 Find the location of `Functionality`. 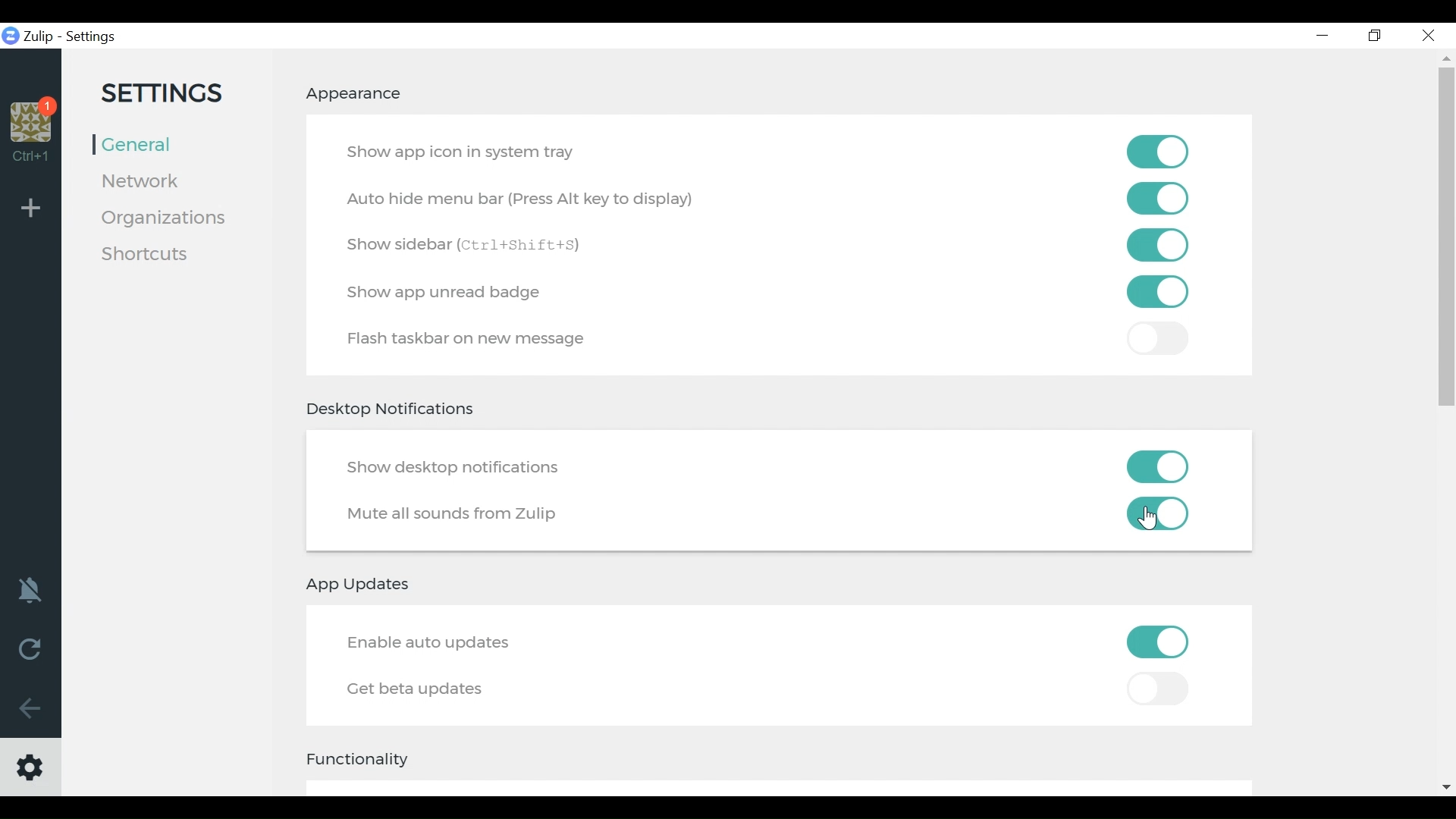

Functionality is located at coordinates (366, 758).